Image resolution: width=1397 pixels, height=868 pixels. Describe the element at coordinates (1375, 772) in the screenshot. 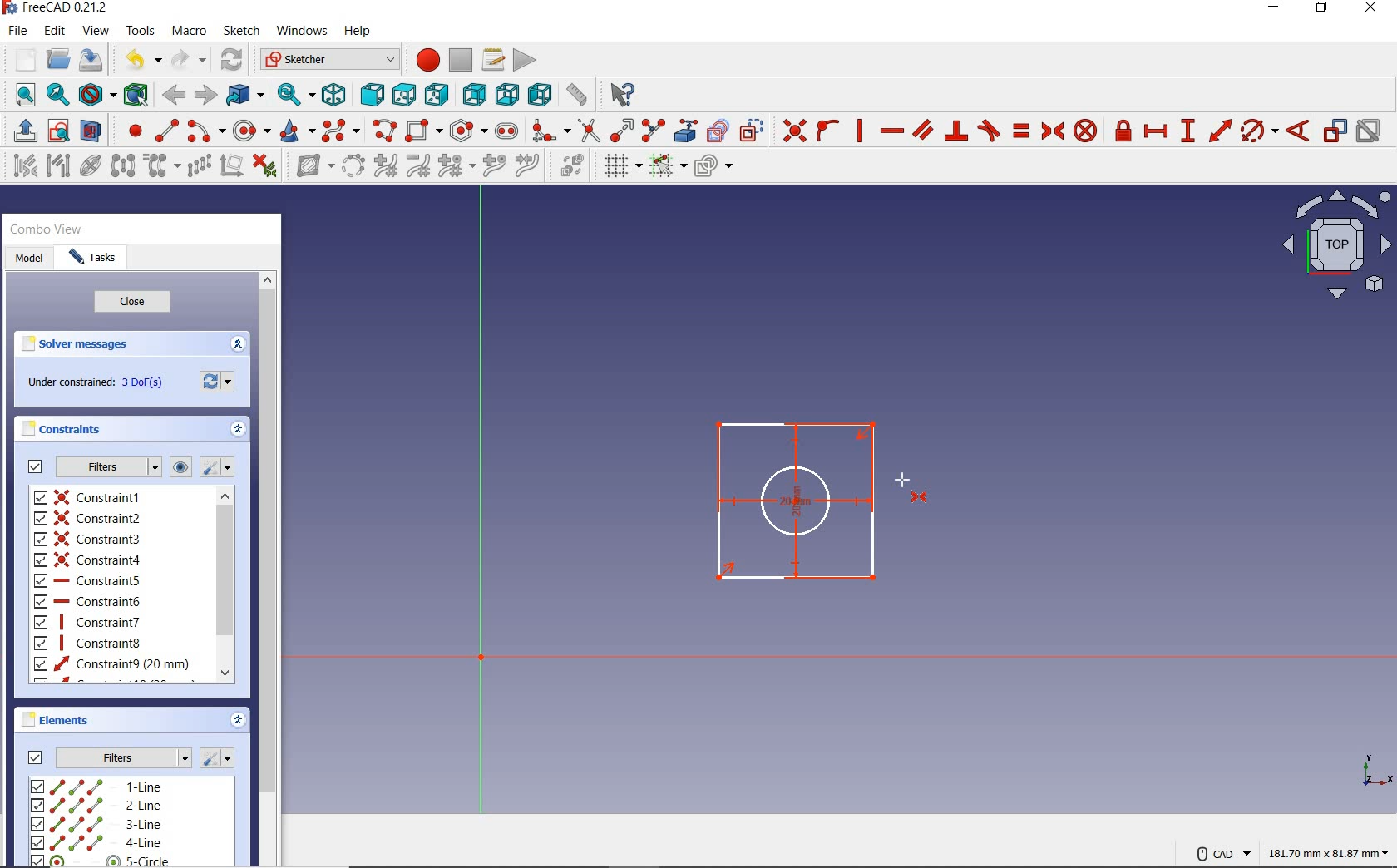

I see `xyz view` at that location.